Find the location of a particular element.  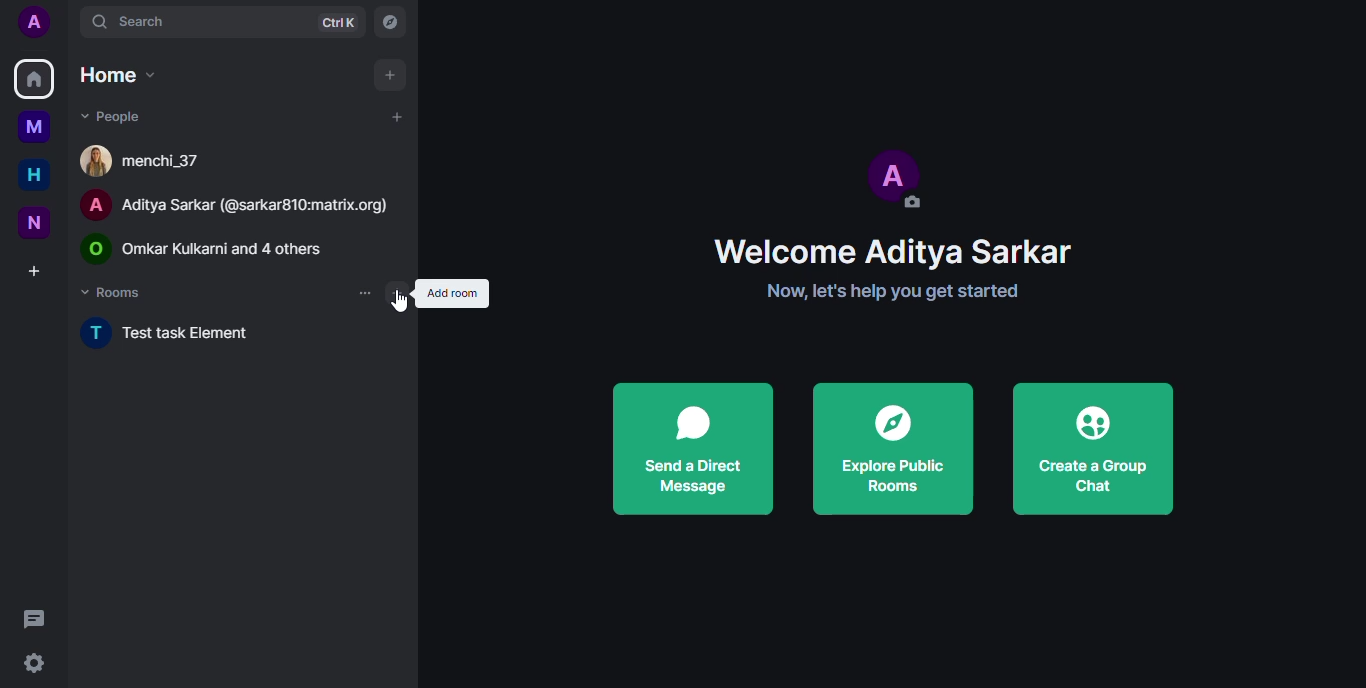

[4 menchi_37 is located at coordinates (148, 159).